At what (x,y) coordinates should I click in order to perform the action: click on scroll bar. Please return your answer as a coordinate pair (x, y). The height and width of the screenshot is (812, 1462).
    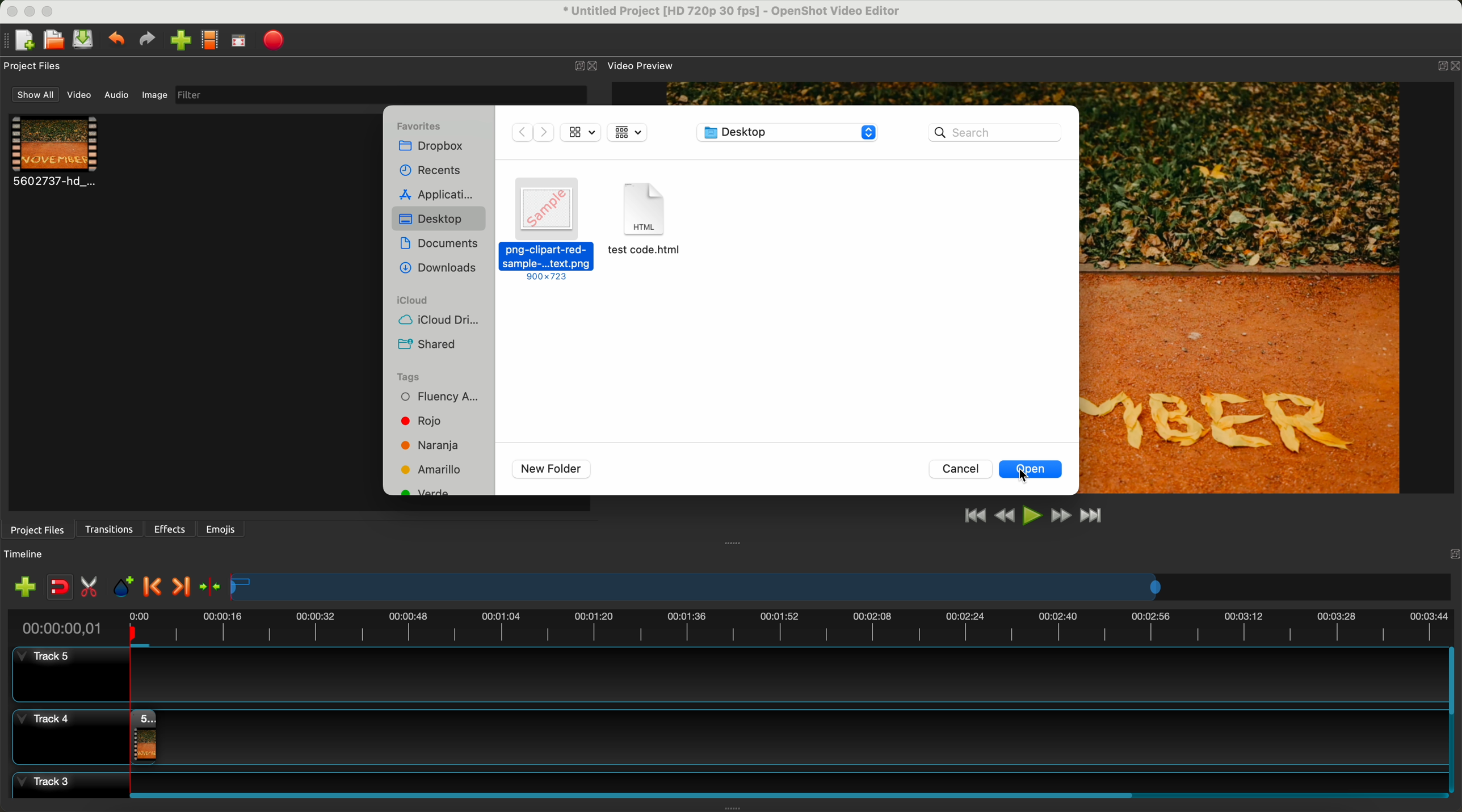
    Looking at the image, I should click on (783, 793).